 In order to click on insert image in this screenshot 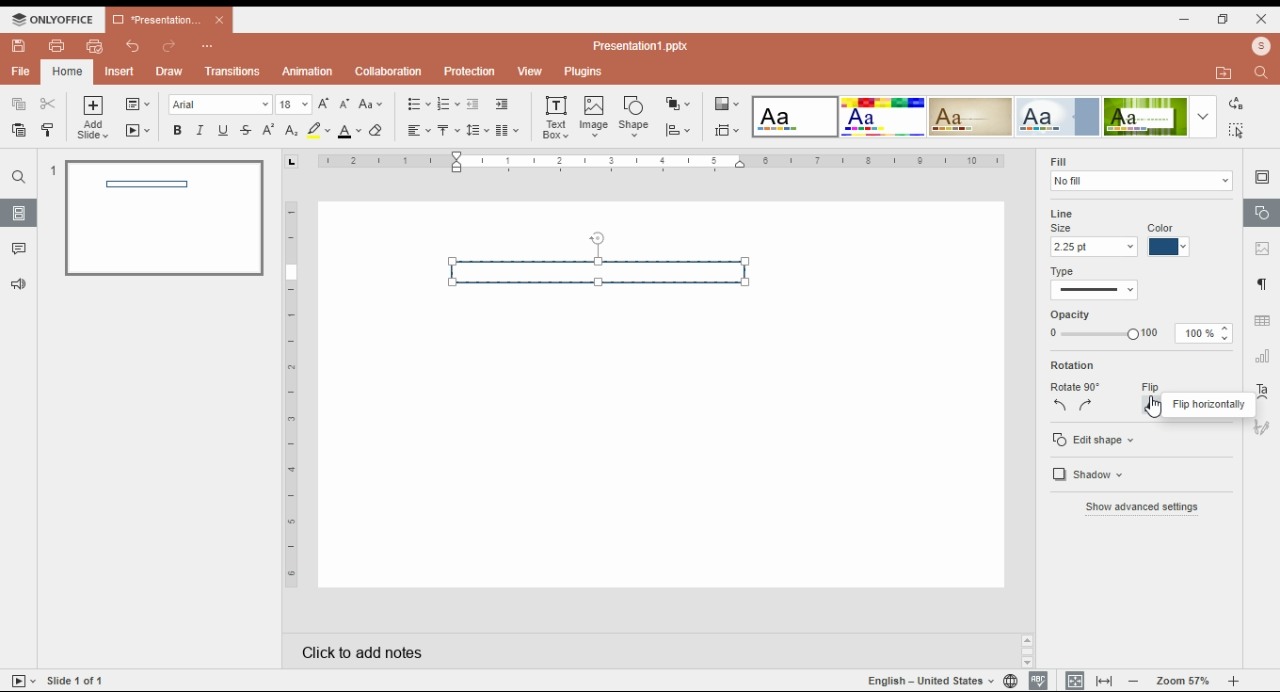, I will do `click(595, 118)`.